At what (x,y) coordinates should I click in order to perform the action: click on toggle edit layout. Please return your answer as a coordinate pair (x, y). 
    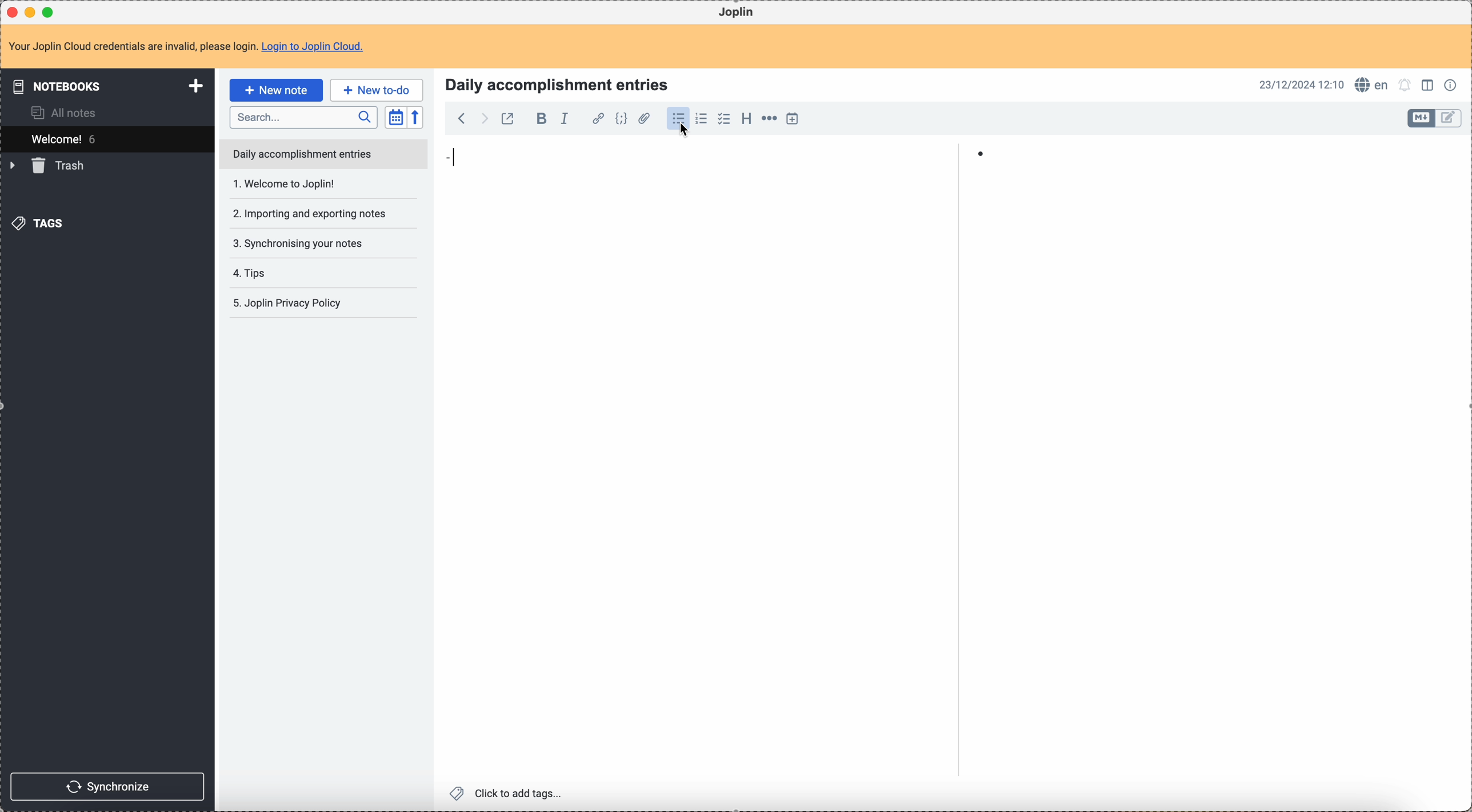
    Looking at the image, I should click on (1449, 118).